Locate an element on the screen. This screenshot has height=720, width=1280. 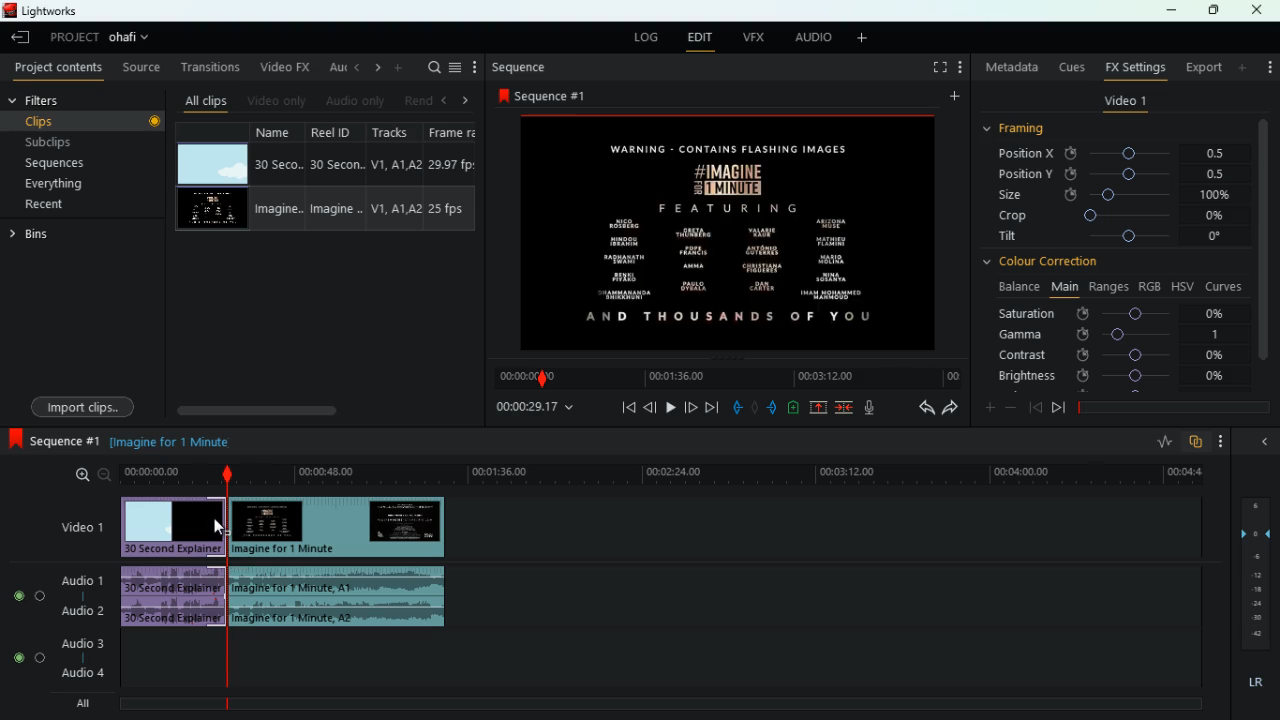
change is located at coordinates (374, 68).